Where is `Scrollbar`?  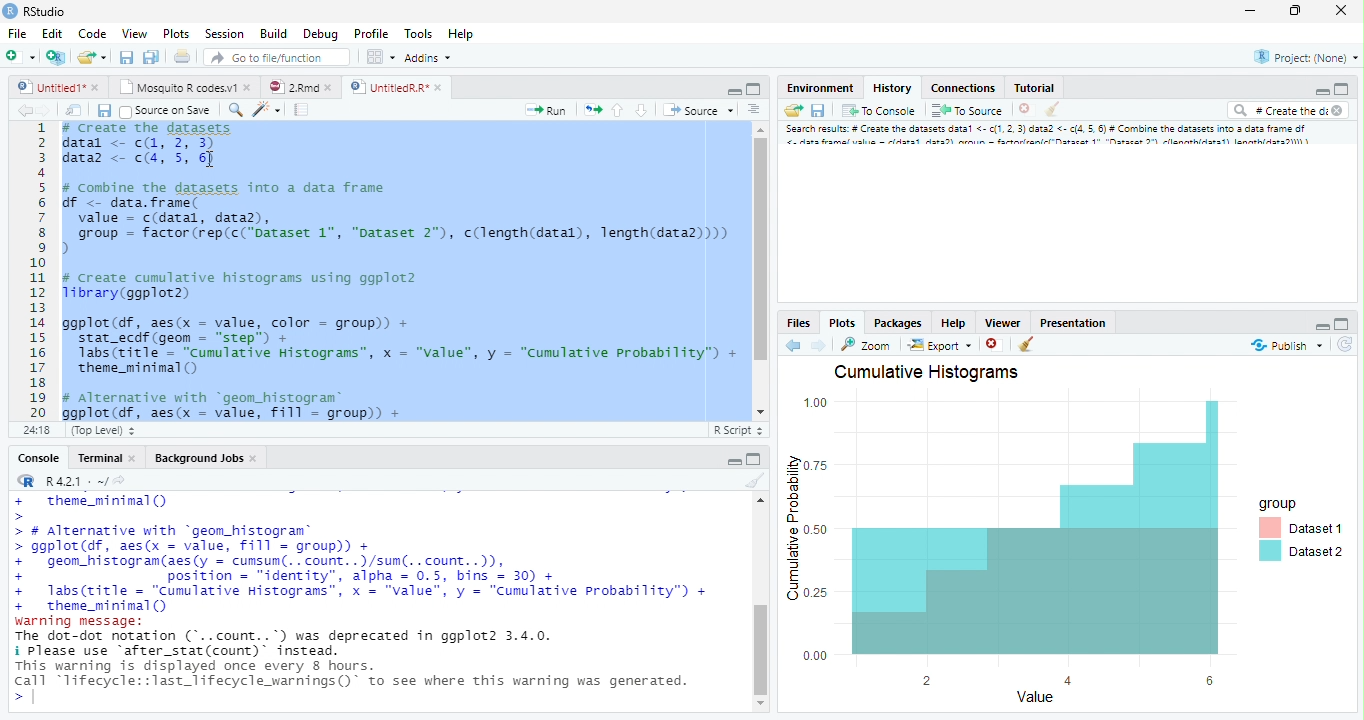
Scrollbar is located at coordinates (759, 602).